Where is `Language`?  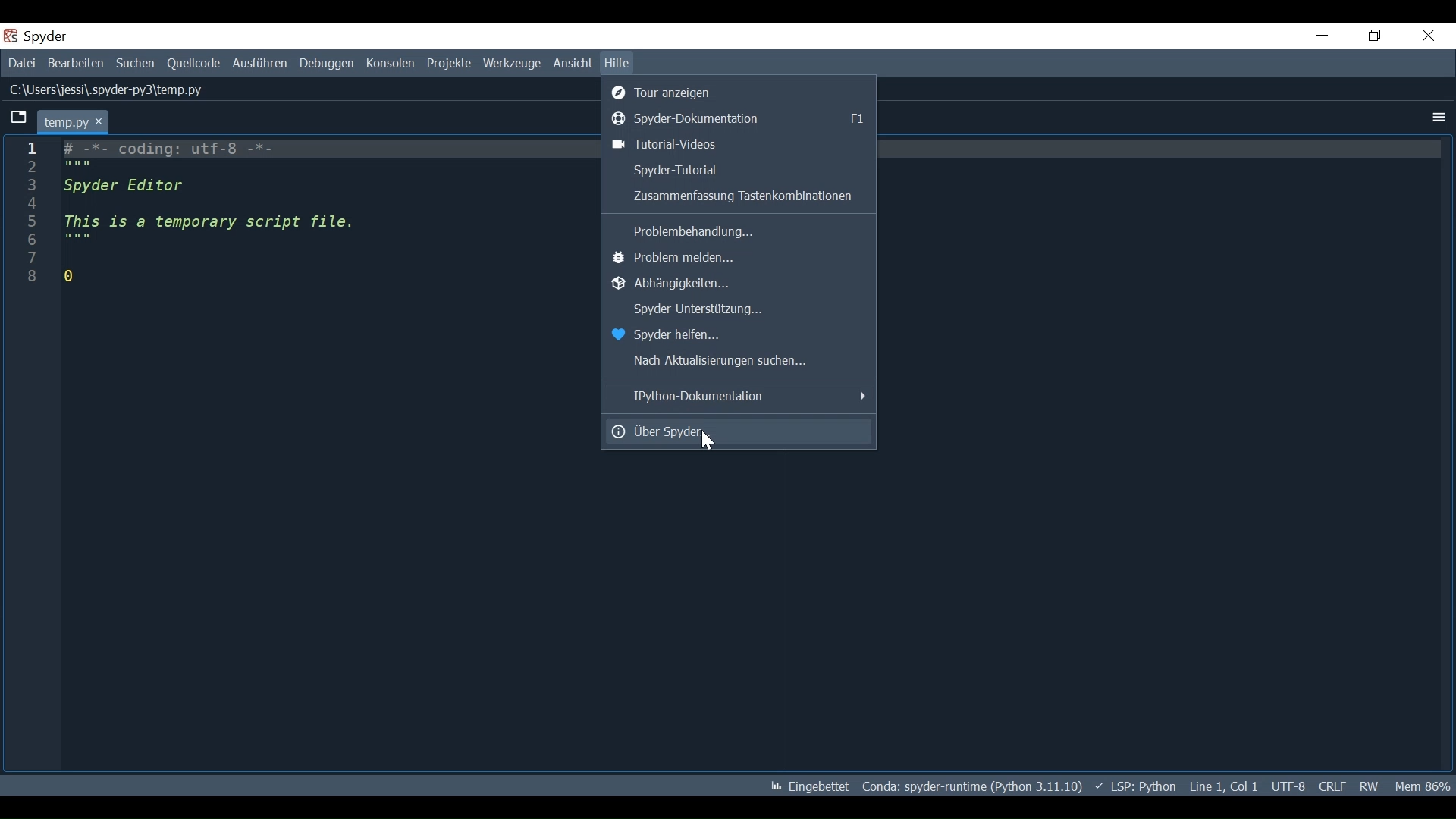 Language is located at coordinates (1136, 786).